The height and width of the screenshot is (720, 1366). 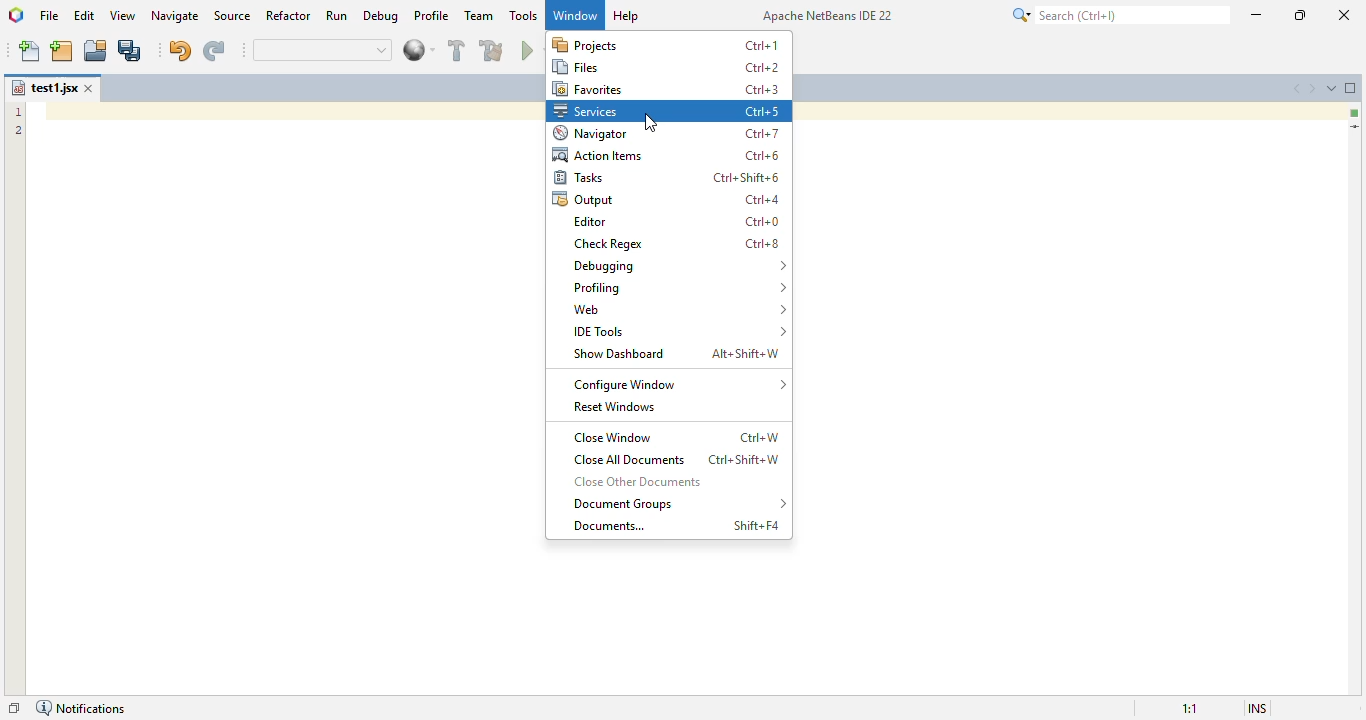 What do you see at coordinates (122, 15) in the screenshot?
I see `view` at bounding box center [122, 15].